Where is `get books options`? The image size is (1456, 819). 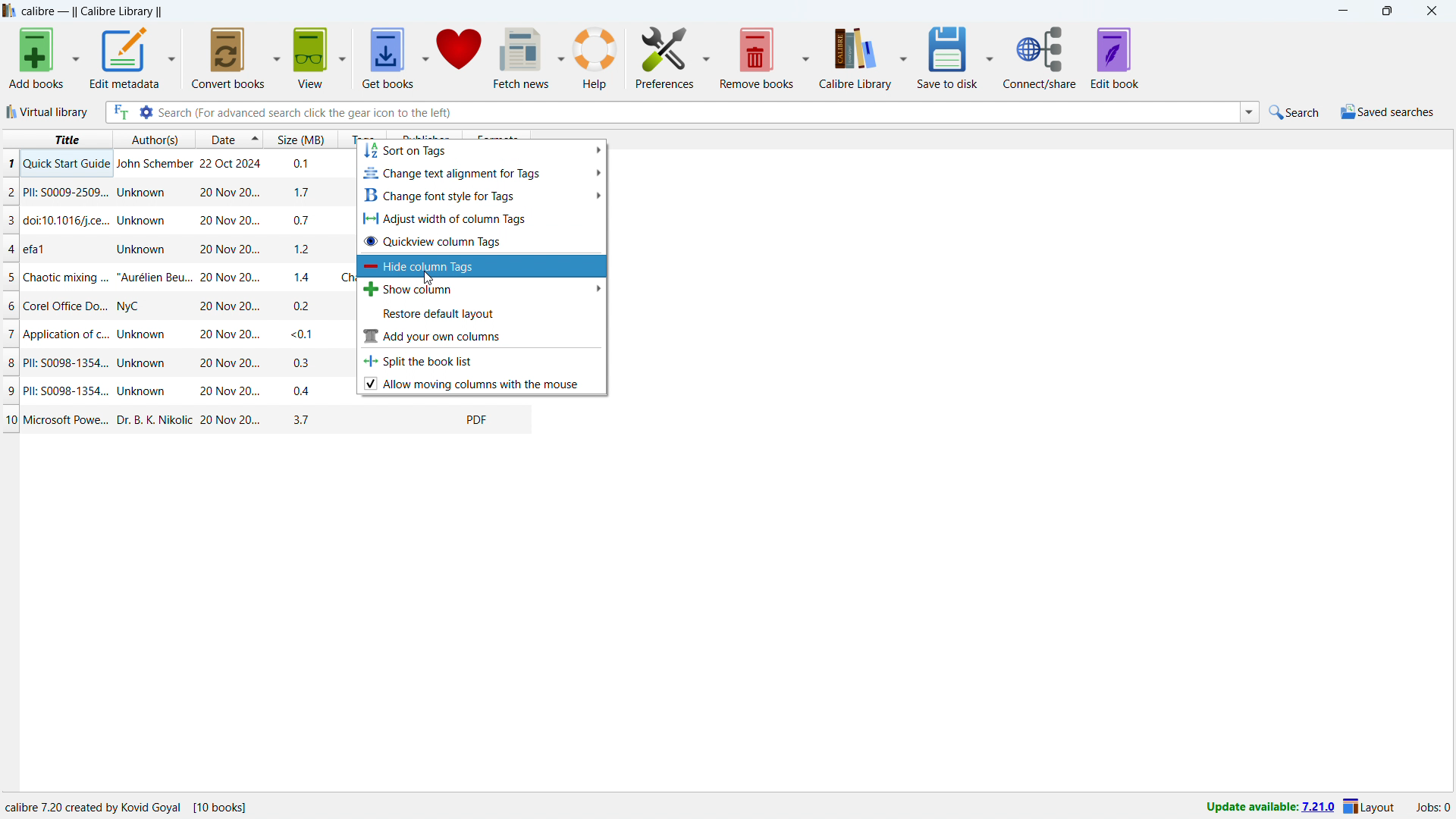
get books options is located at coordinates (425, 55).